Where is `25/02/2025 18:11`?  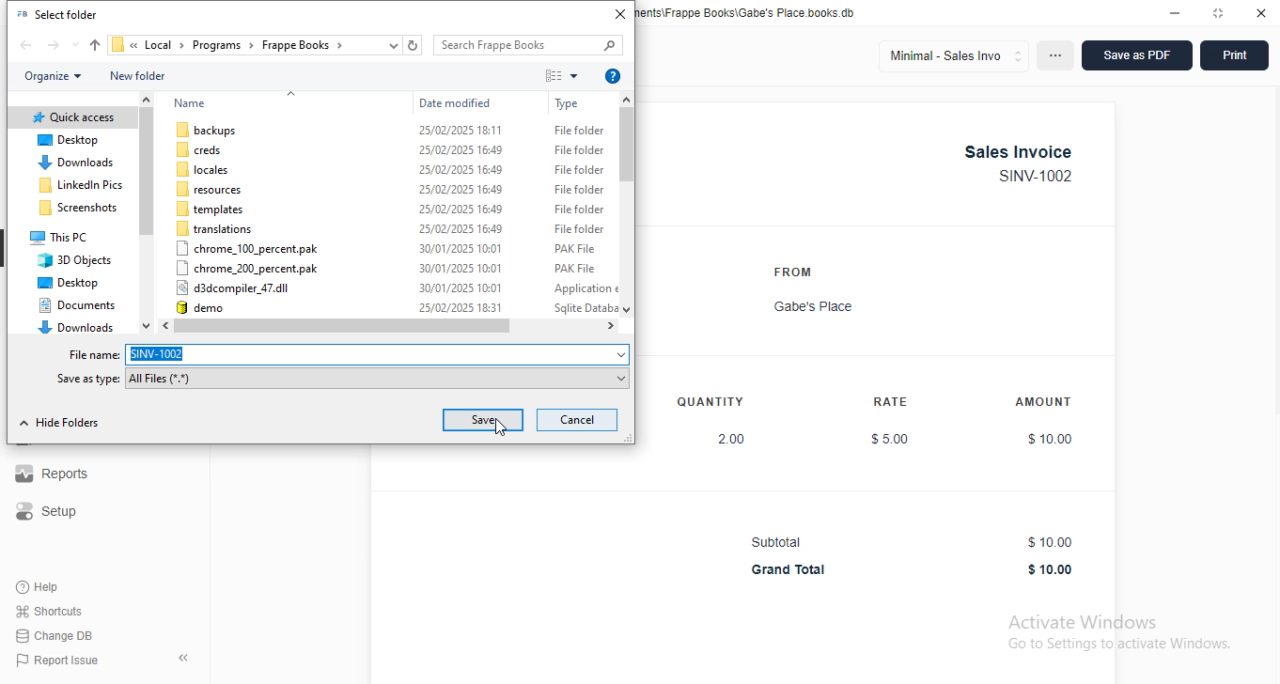
25/02/2025 18:11 is located at coordinates (460, 129).